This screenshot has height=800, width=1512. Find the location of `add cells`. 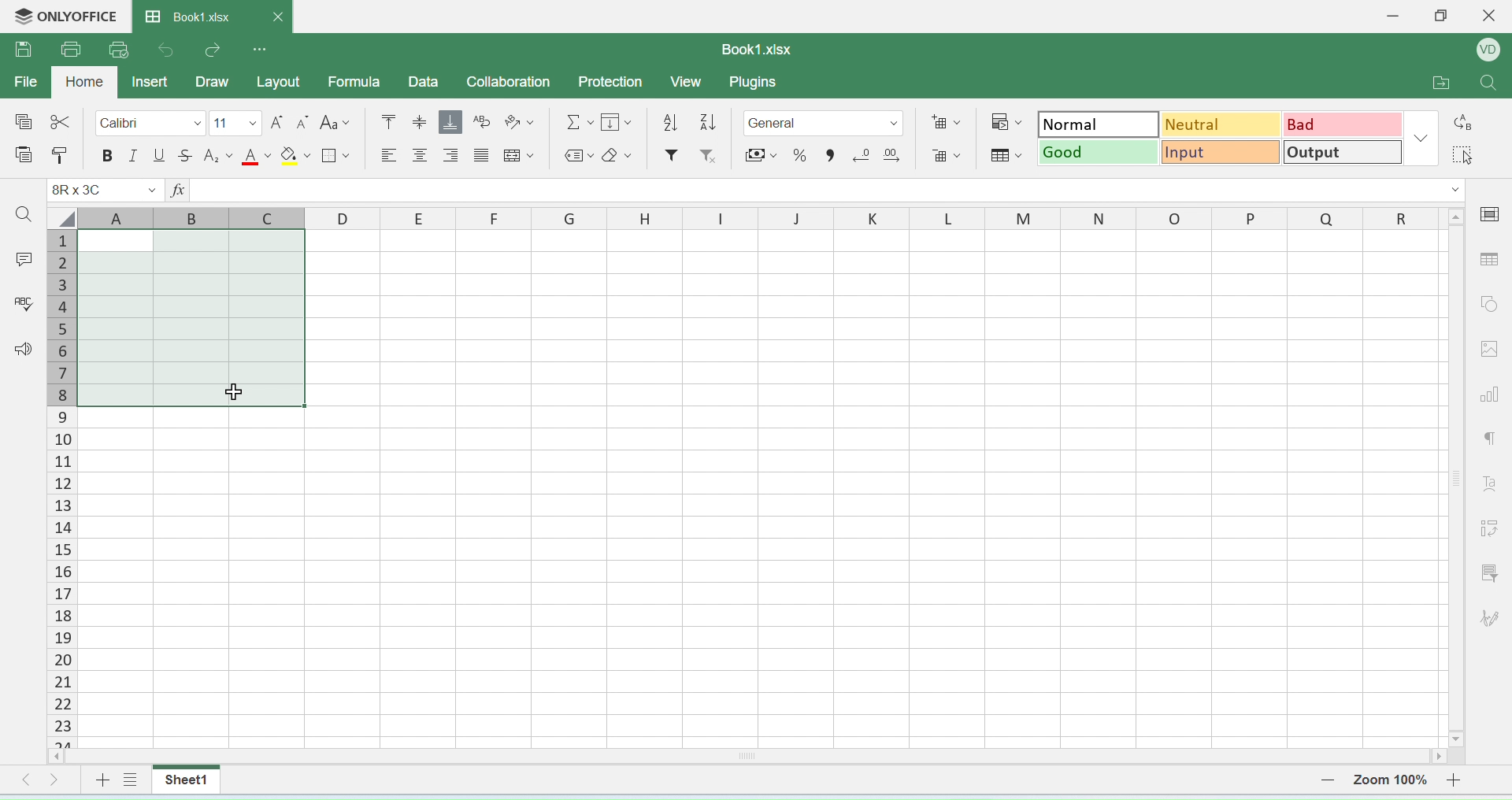

add cells is located at coordinates (945, 122).